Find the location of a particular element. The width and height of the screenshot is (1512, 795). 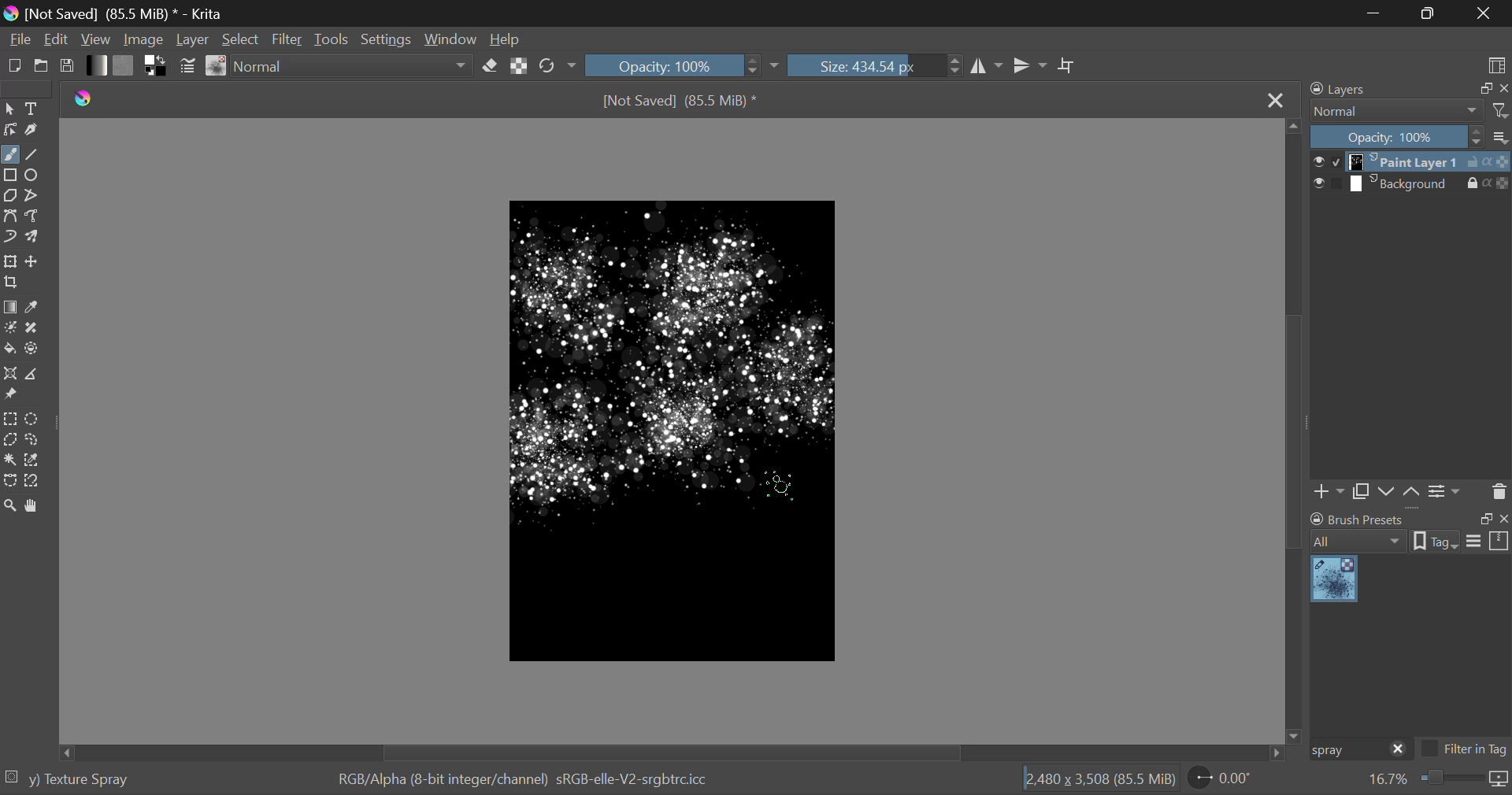

Rectanle is located at coordinates (10, 176).